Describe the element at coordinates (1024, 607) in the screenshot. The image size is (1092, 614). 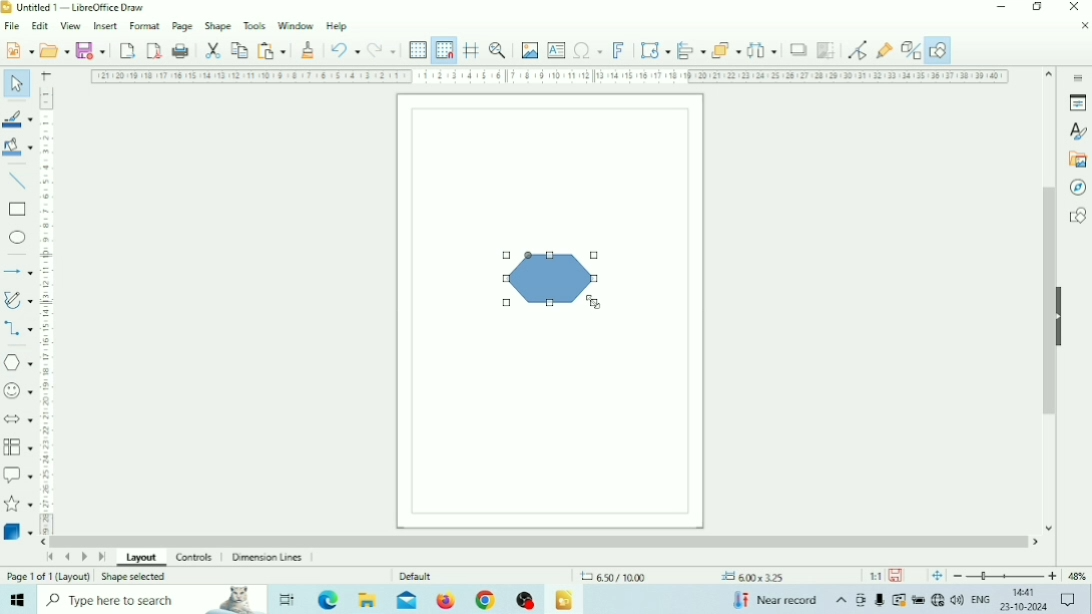
I see `Date` at that location.